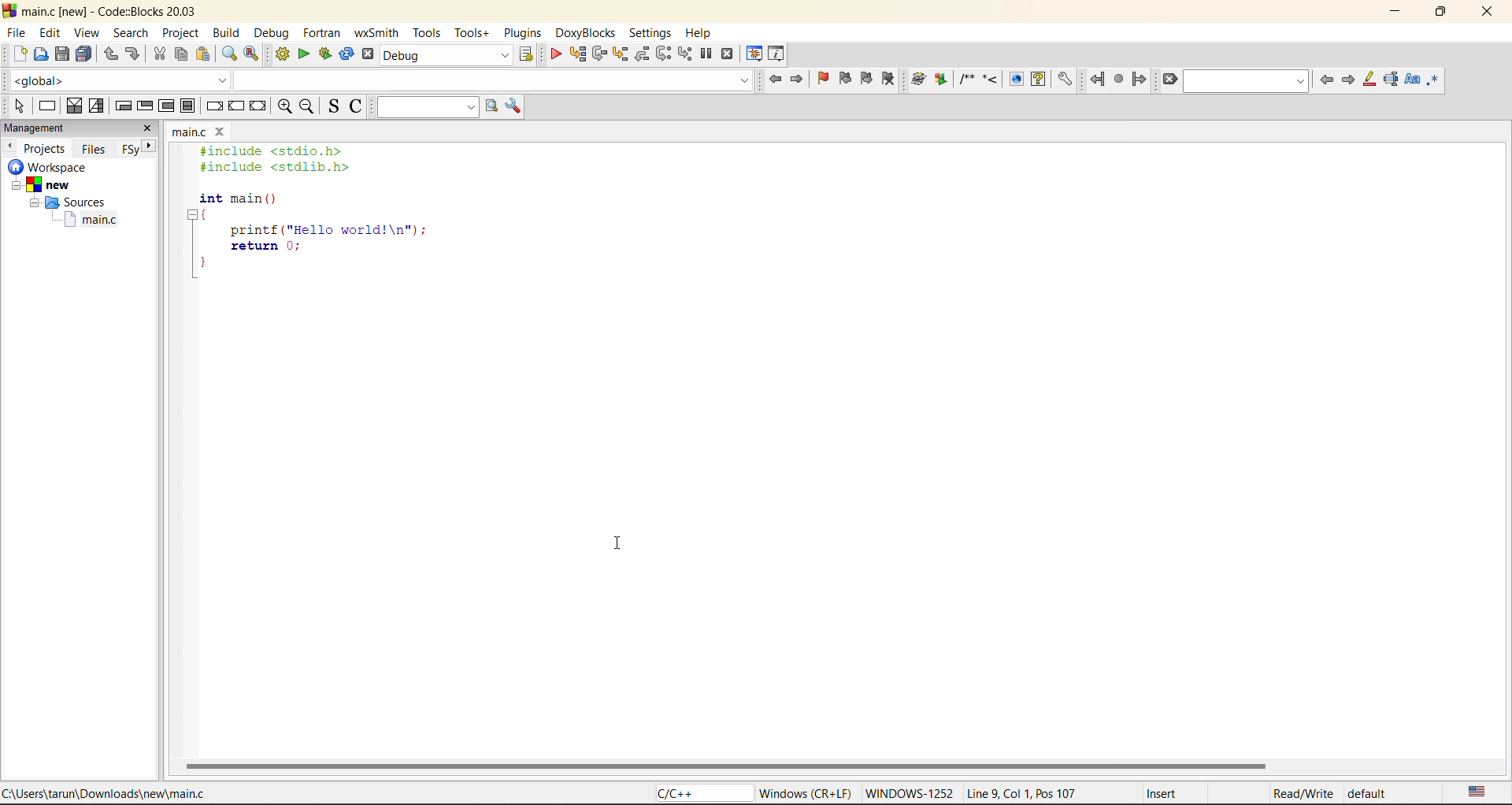 This screenshot has height=805, width=1512. Describe the element at coordinates (50, 33) in the screenshot. I see `edit` at that location.